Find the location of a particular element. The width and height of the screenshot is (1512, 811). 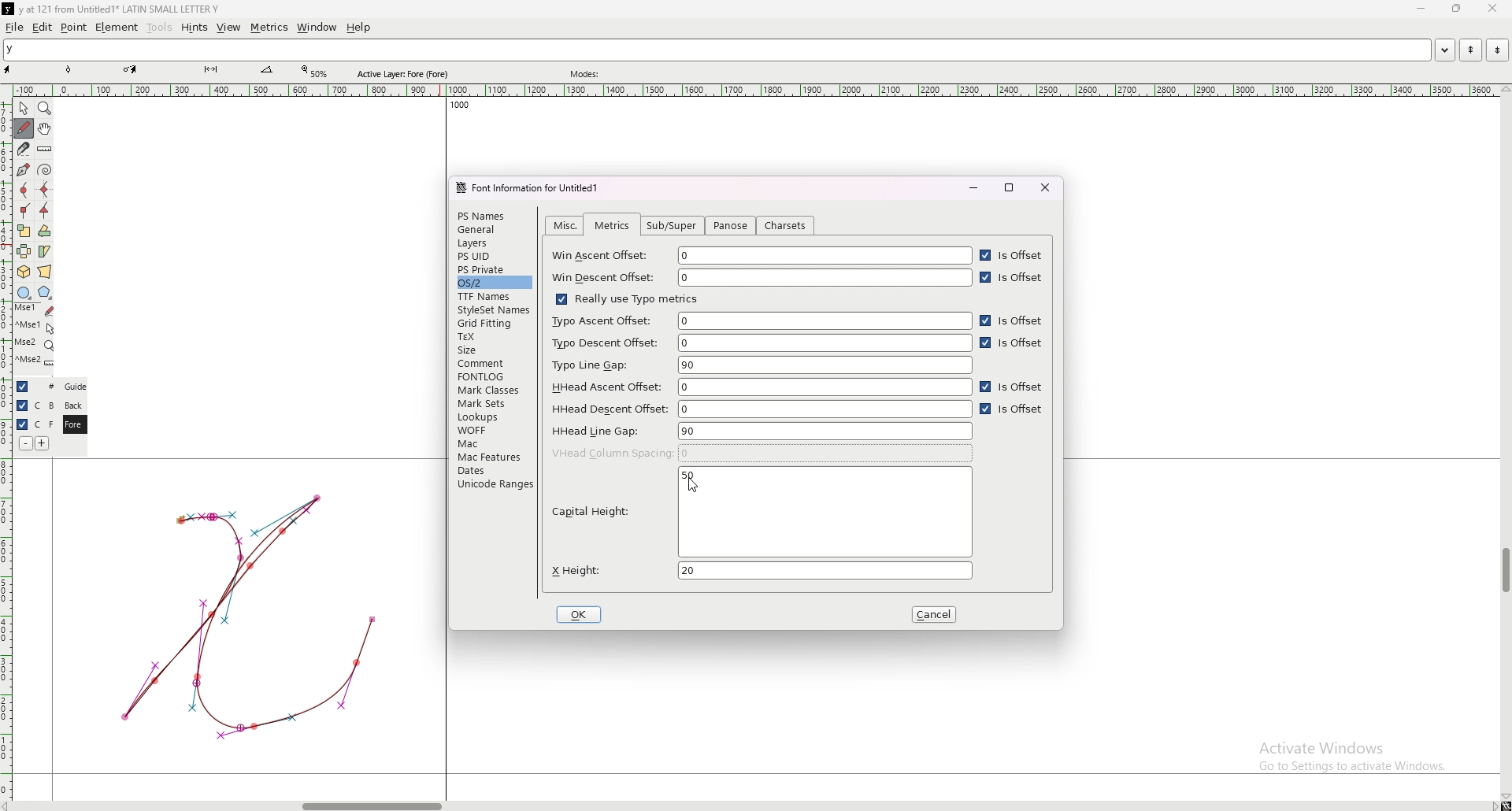

scroll up is located at coordinates (1503, 90).